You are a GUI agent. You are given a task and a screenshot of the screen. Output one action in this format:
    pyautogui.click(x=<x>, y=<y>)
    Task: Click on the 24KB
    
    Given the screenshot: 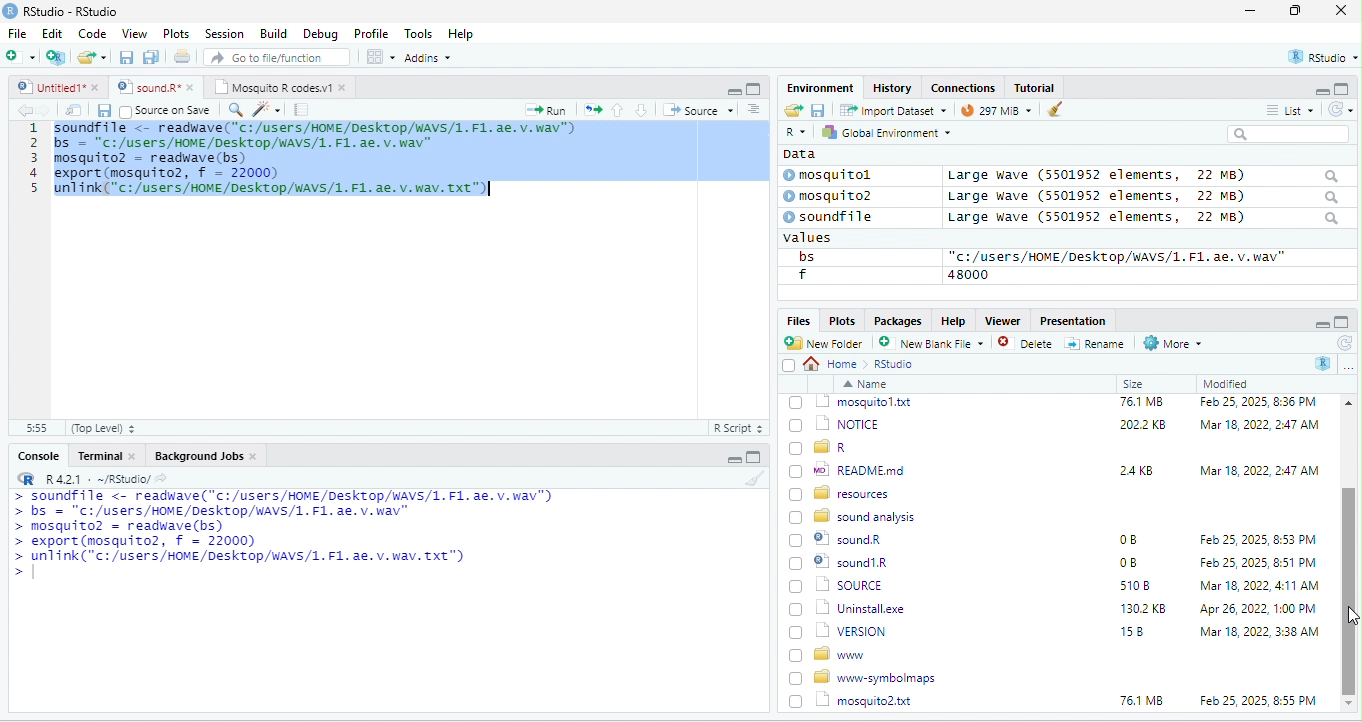 What is the action you would take?
    pyautogui.click(x=1133, y=588)
    